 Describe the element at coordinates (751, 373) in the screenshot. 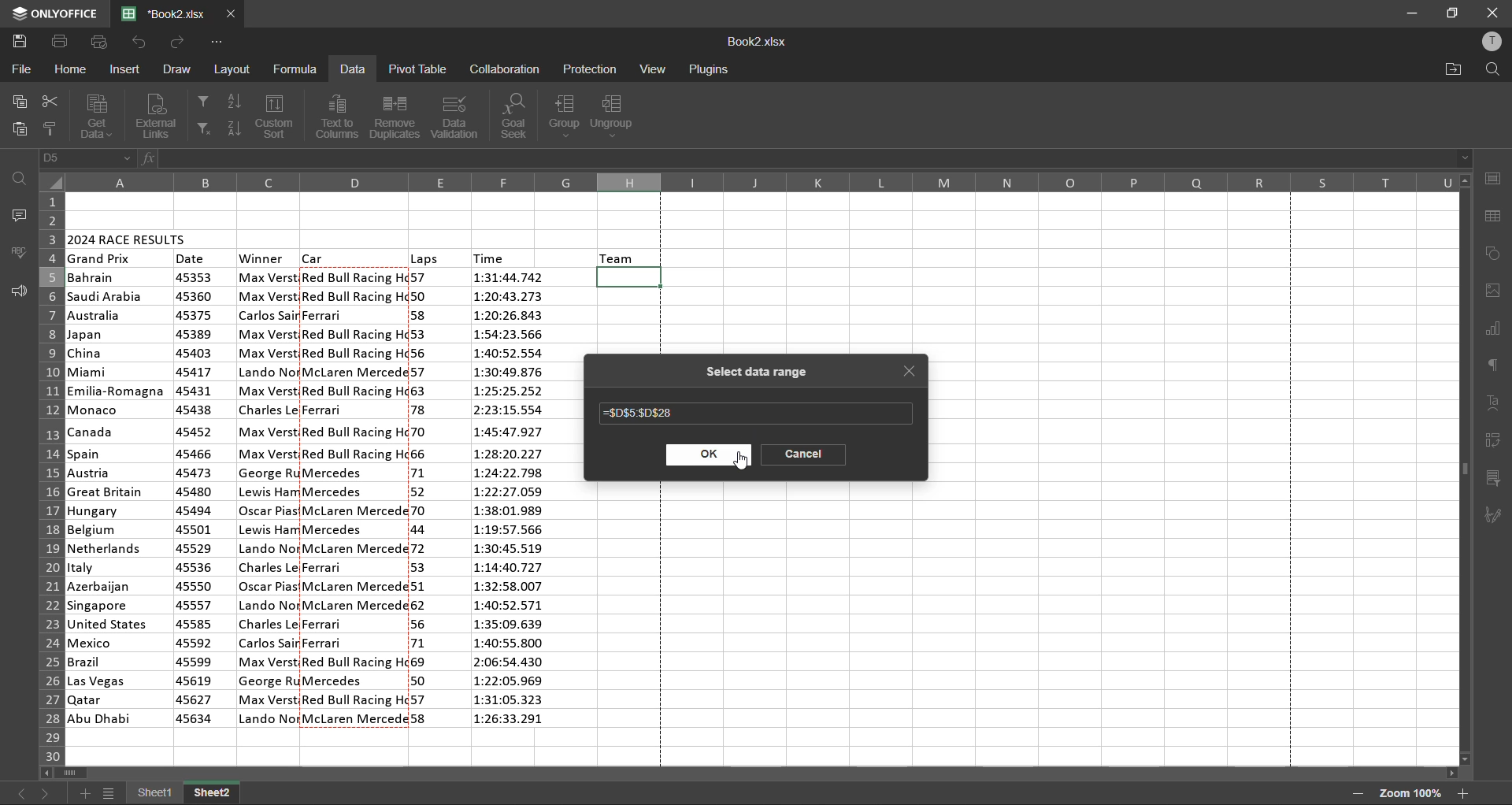

I see `select data range` at that location.